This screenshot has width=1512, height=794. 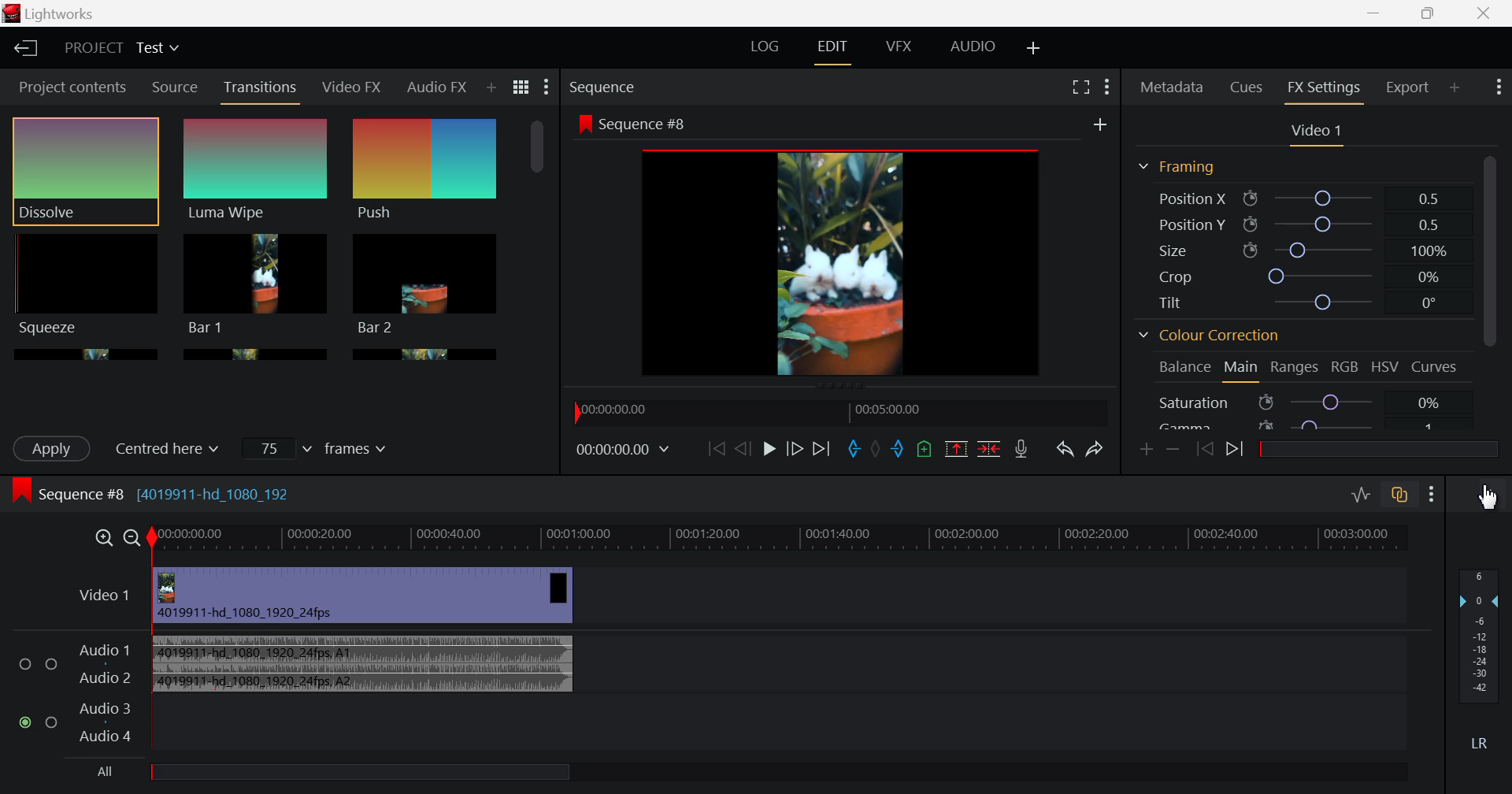 I want to click on Undo, so click(x=1066, y=451).